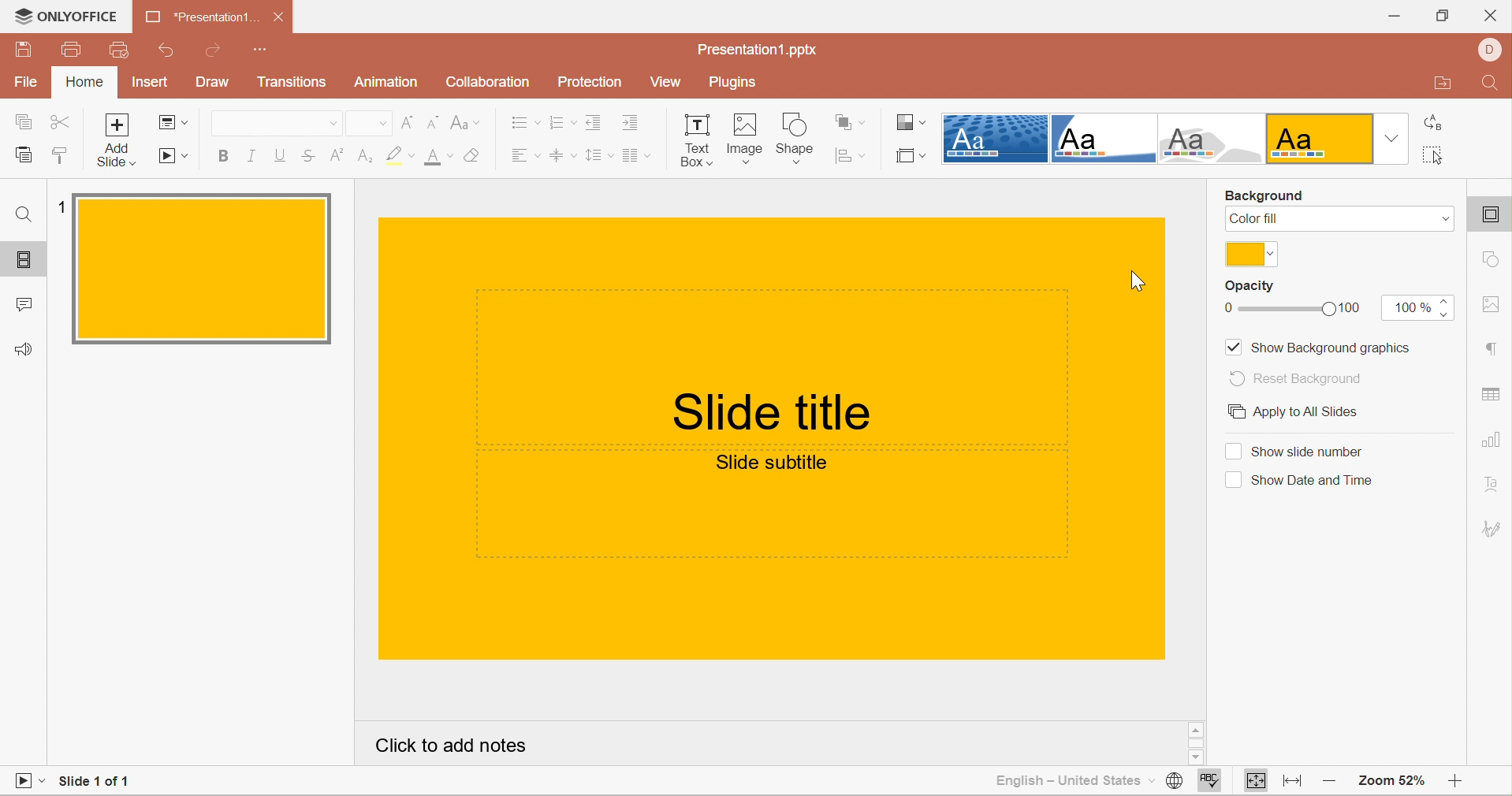 This screenshot has width=1512, height=796. What do you see at coordinates (92, 783) in the screenshot?
I see `Slide 1 of 1` at bounding box center [92, 783].